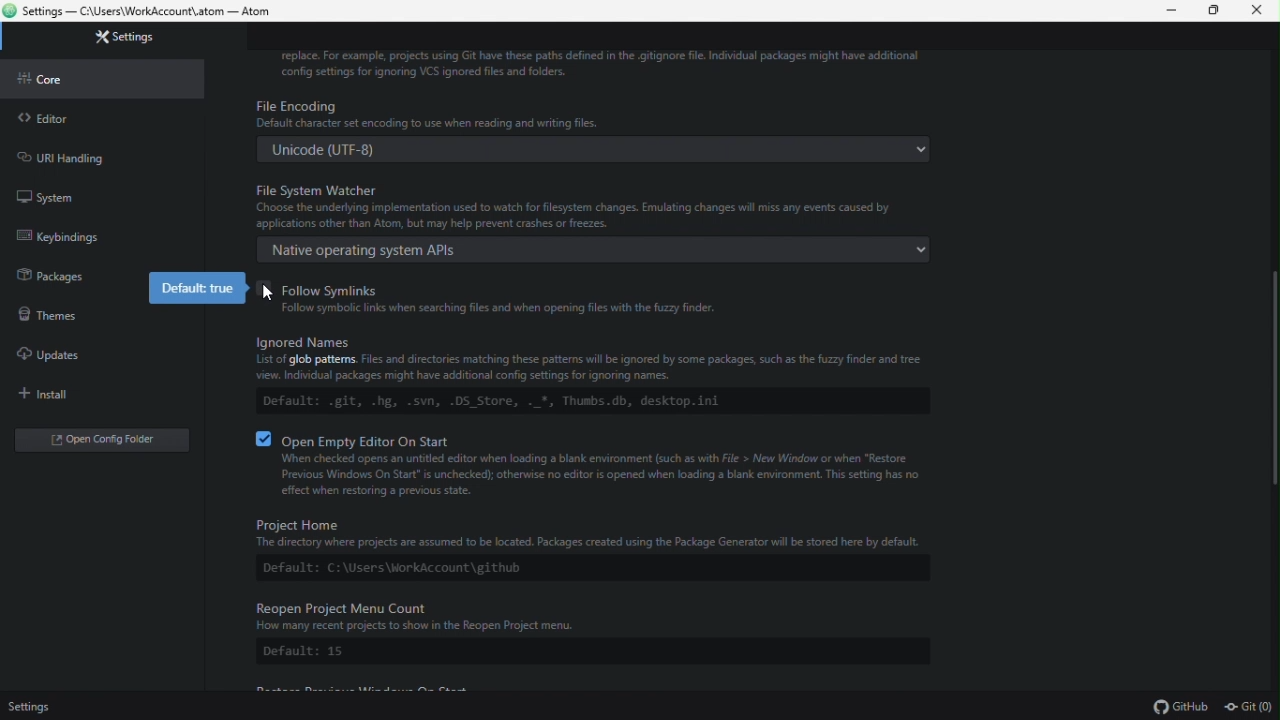 The height and width of the screenshot is (720, 1280). Describe the element at coordinates (95, 236) in the screenshot. I see `Key bindings` at that location.